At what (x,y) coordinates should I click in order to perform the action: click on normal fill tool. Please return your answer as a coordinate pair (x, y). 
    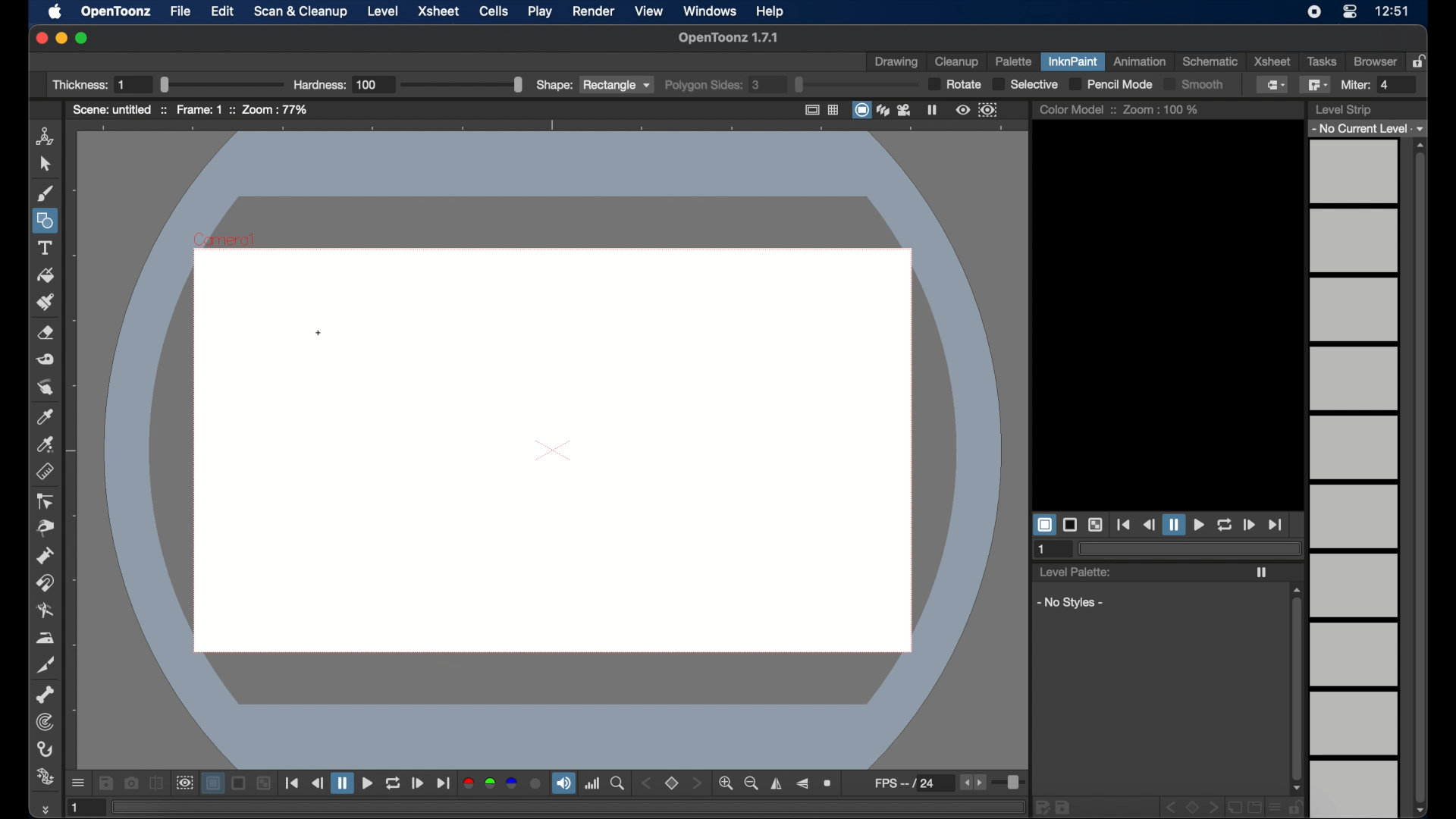
    Looking at the image, I should click on (1274, 85).